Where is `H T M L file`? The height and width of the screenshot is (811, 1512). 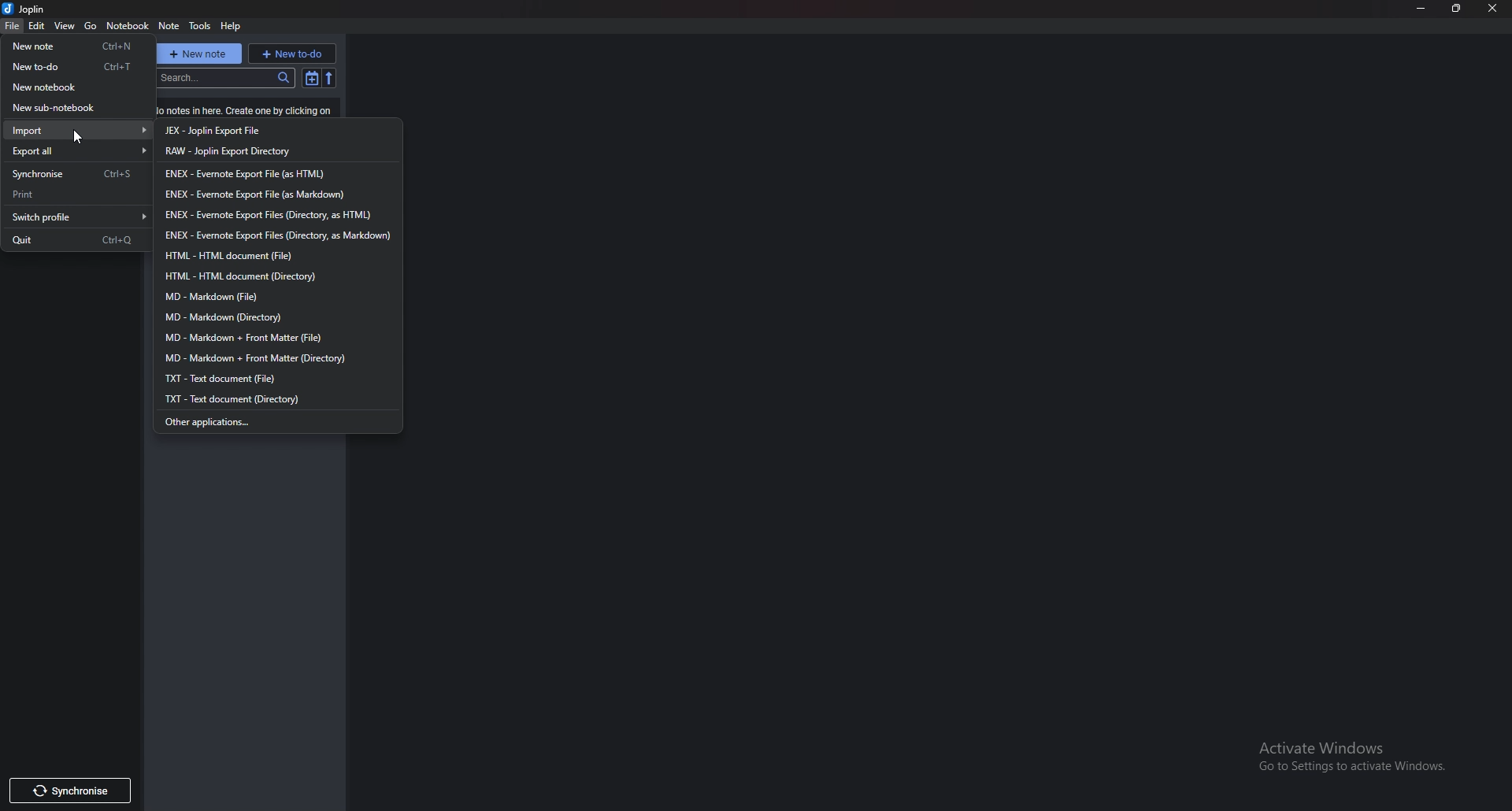
H T M L file is located at coordinates (239, 256).